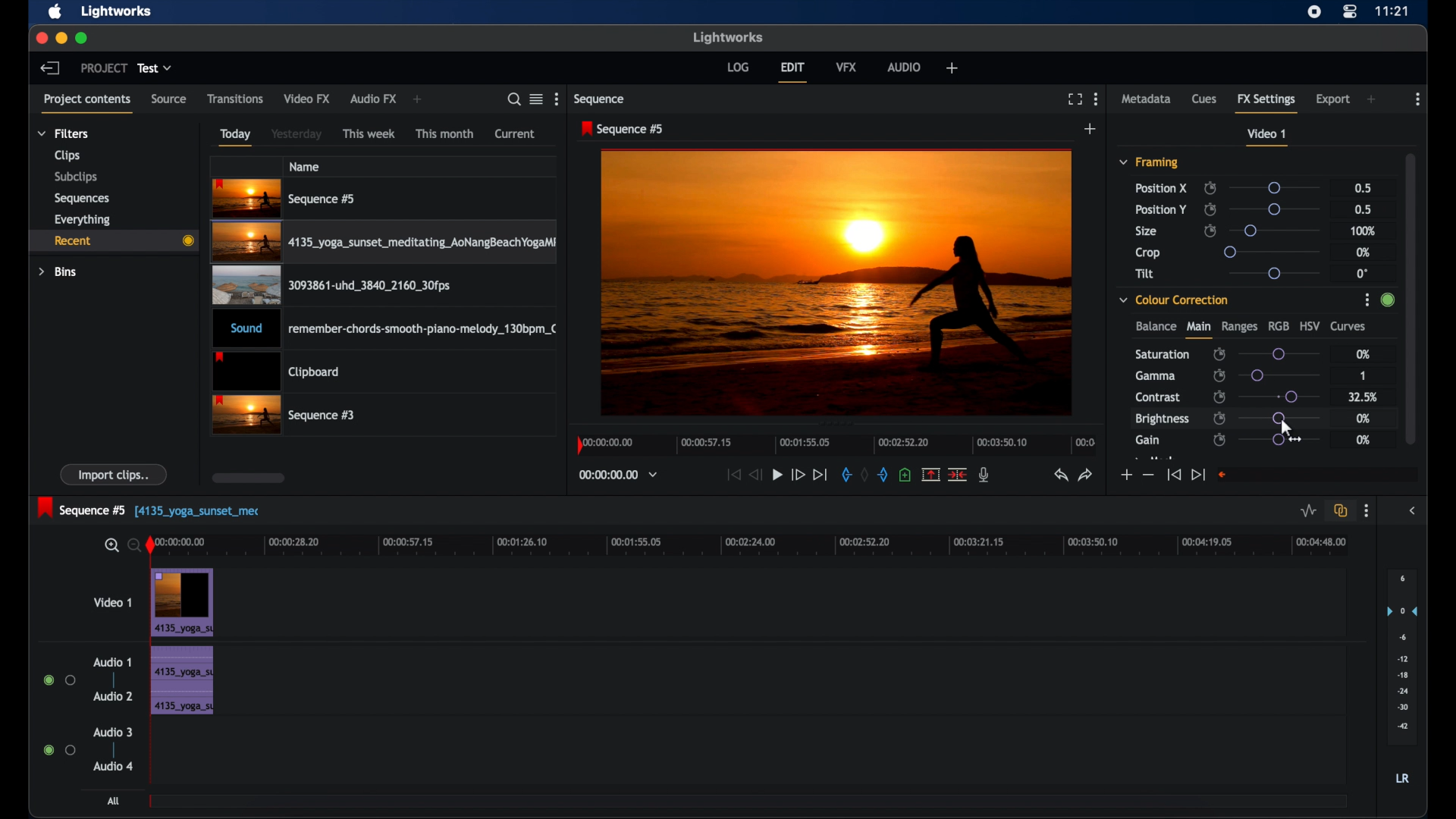 Image resolution: width=1456 pixels, height=819 pixels. Describe the element at coordinates (730, 37) in the screenshot. I see `lightworks` at that location.